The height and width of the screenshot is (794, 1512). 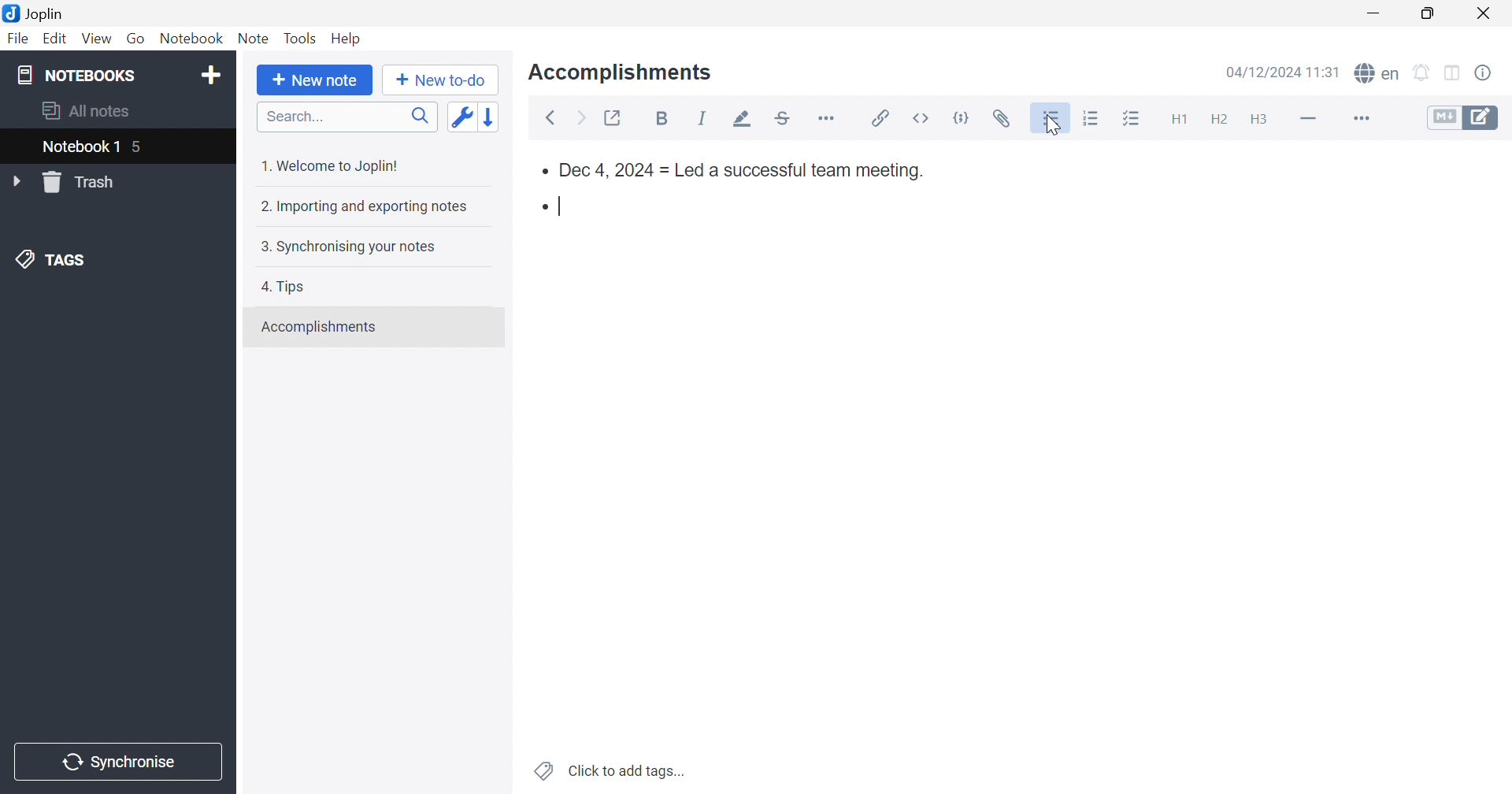 What do you see at coordinates (57, 40) in the screenshot?
I see `Edit` at bounding box center [57, 40].